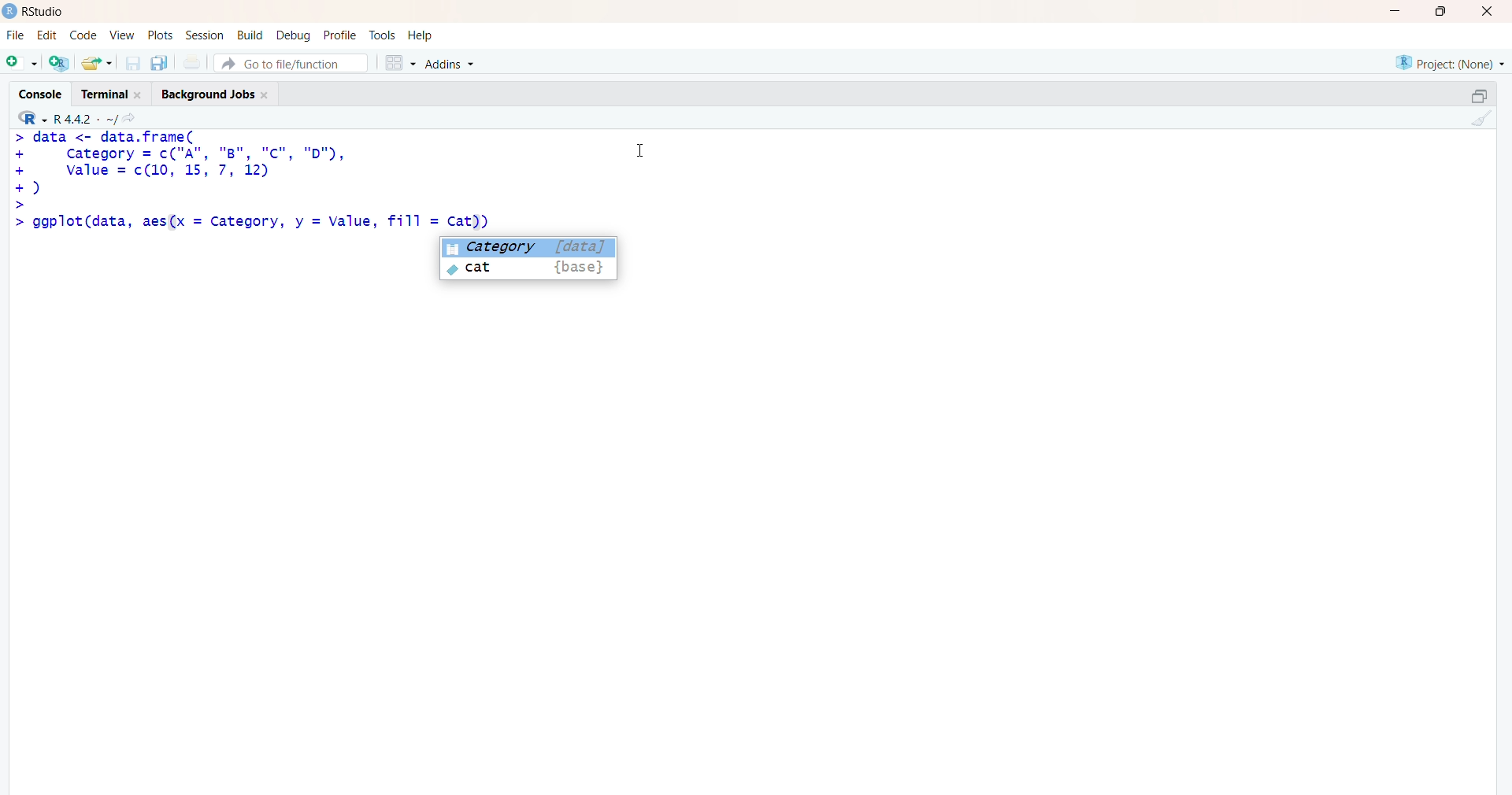 This screenshot has width=1512, height=795. What do you see at coordinates (1400, 11) in the screenshot?
I see `minimize` at bounding box center [1400, 11].